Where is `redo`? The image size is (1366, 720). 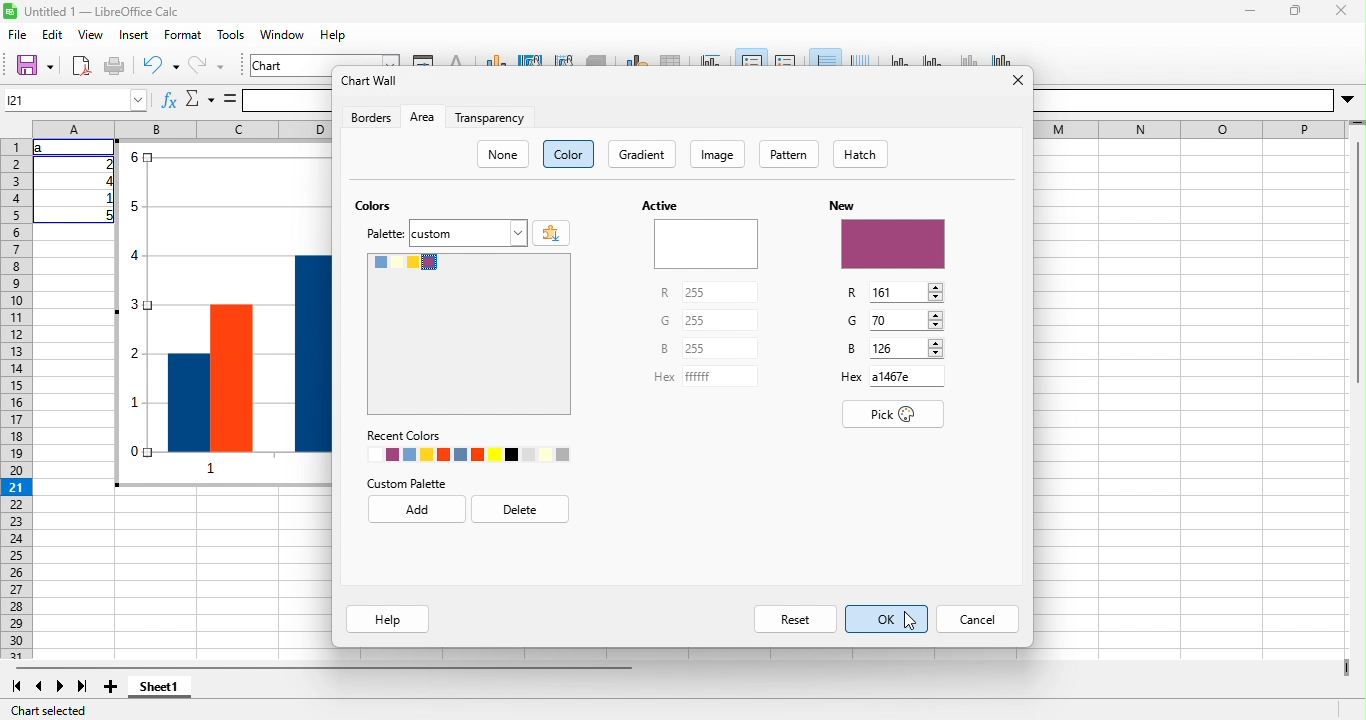
redo is located at coordinates (206, 66).